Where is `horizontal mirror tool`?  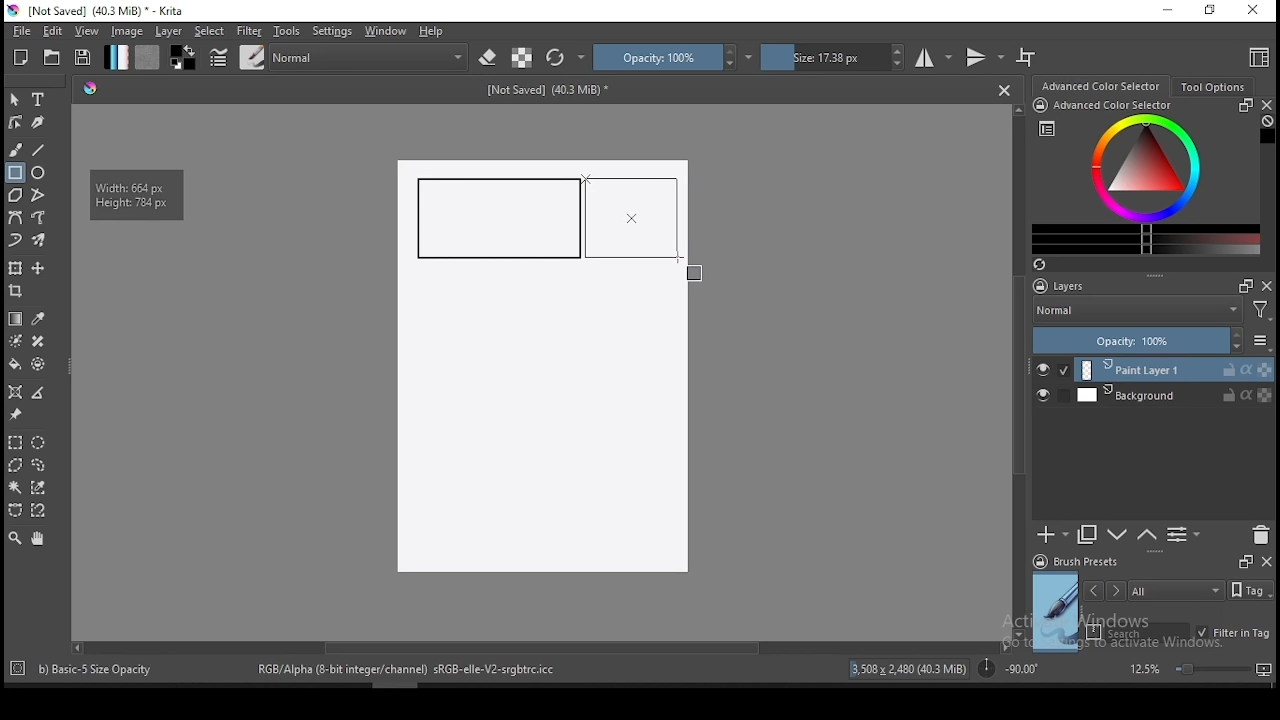 horizontal mirror tool is located at coordinates (934, 57).